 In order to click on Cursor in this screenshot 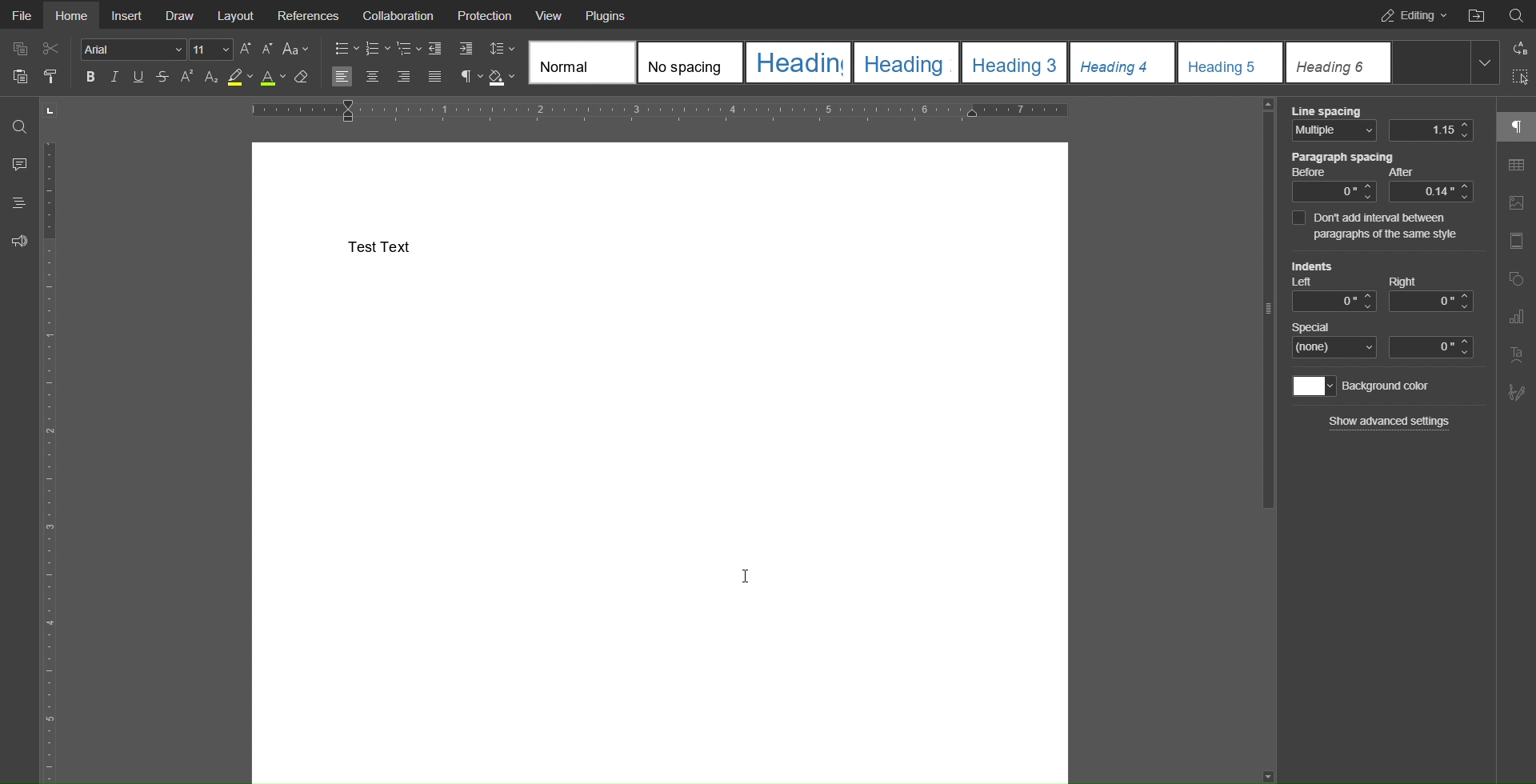, I will do `click(758, 576)`.